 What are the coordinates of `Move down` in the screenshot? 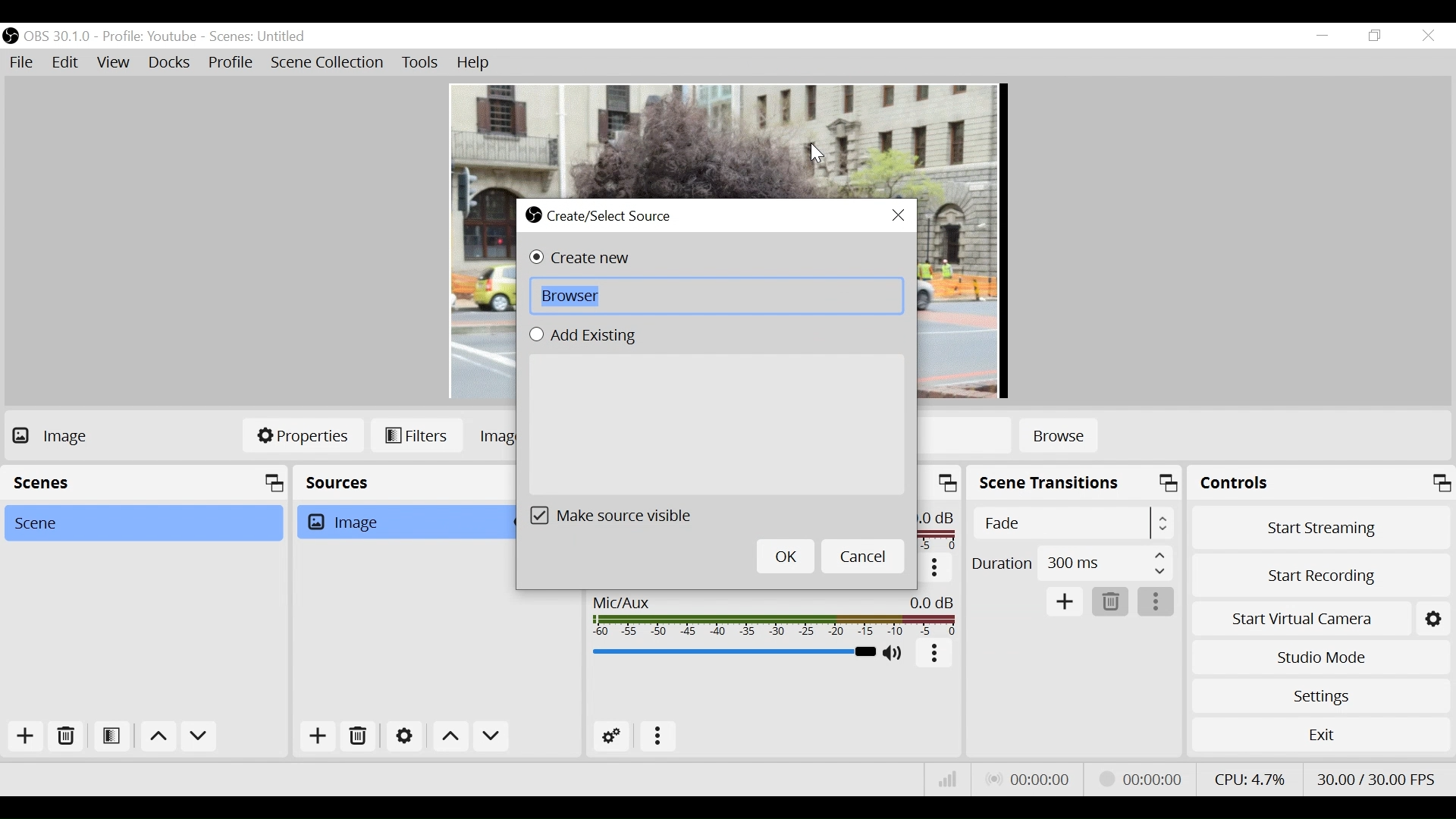 It's located at (201, 737).